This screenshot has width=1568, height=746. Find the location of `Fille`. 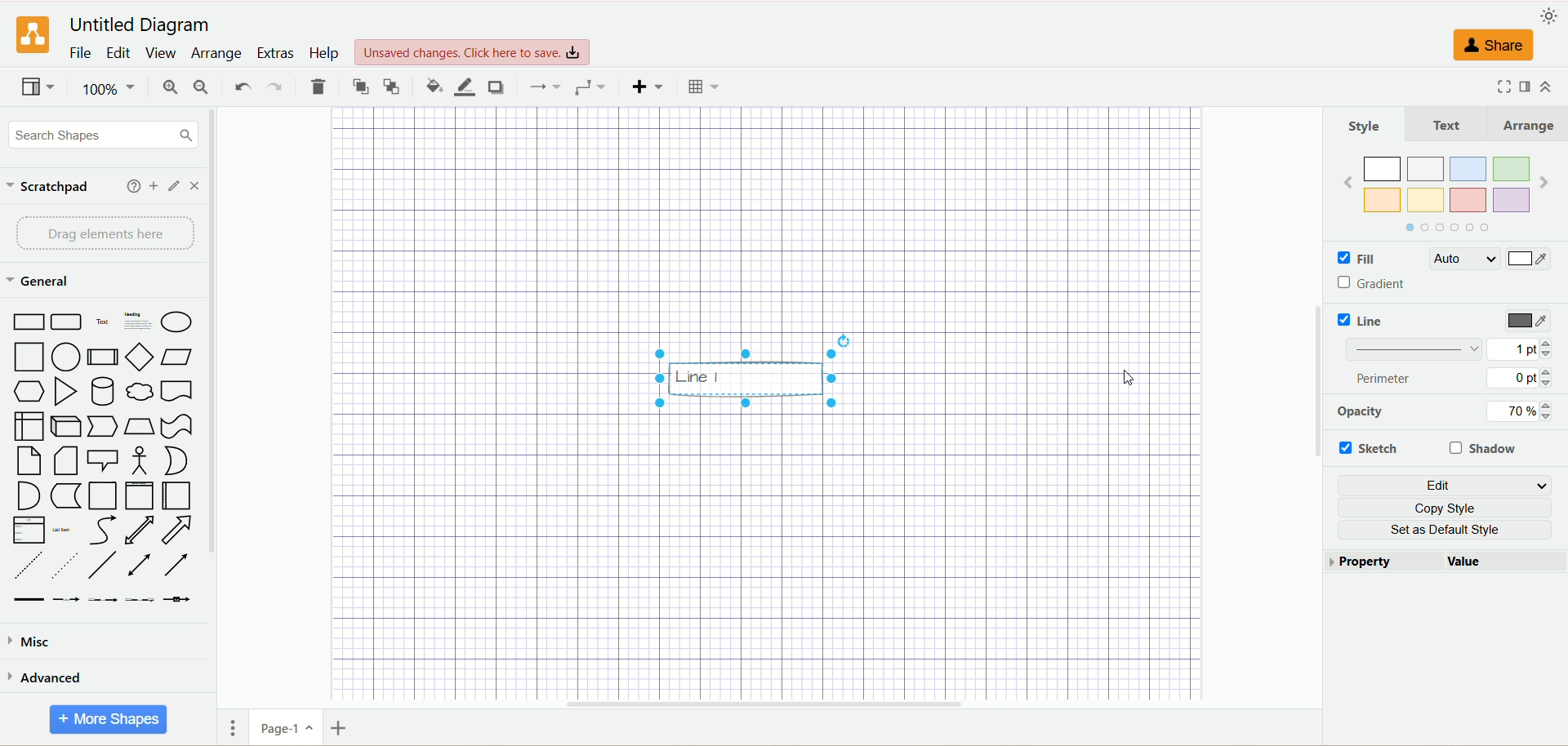

Fille is located at coordinates (1378, 260).